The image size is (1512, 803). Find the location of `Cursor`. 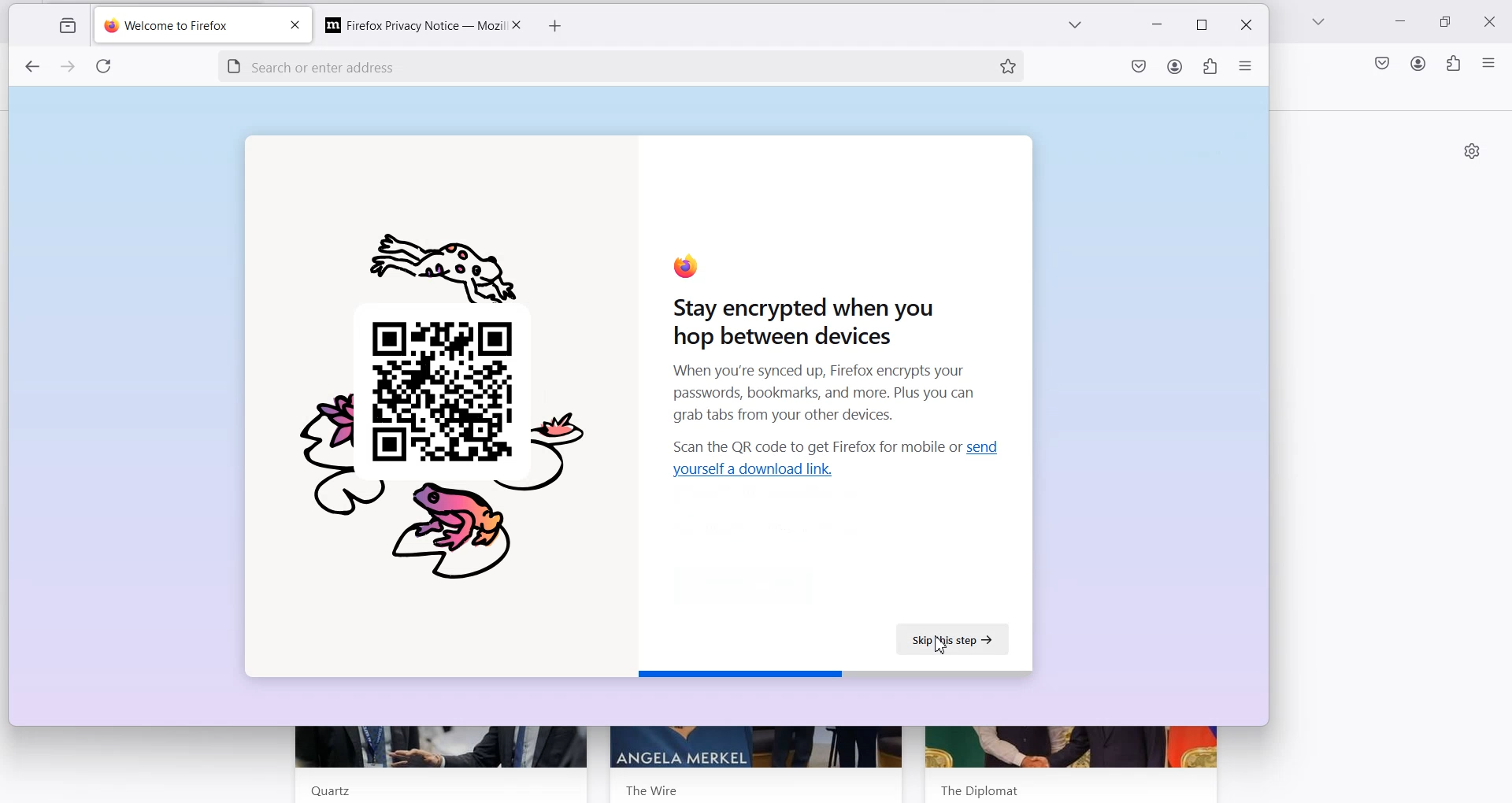

Cursor is located at coordinates (939, 646).